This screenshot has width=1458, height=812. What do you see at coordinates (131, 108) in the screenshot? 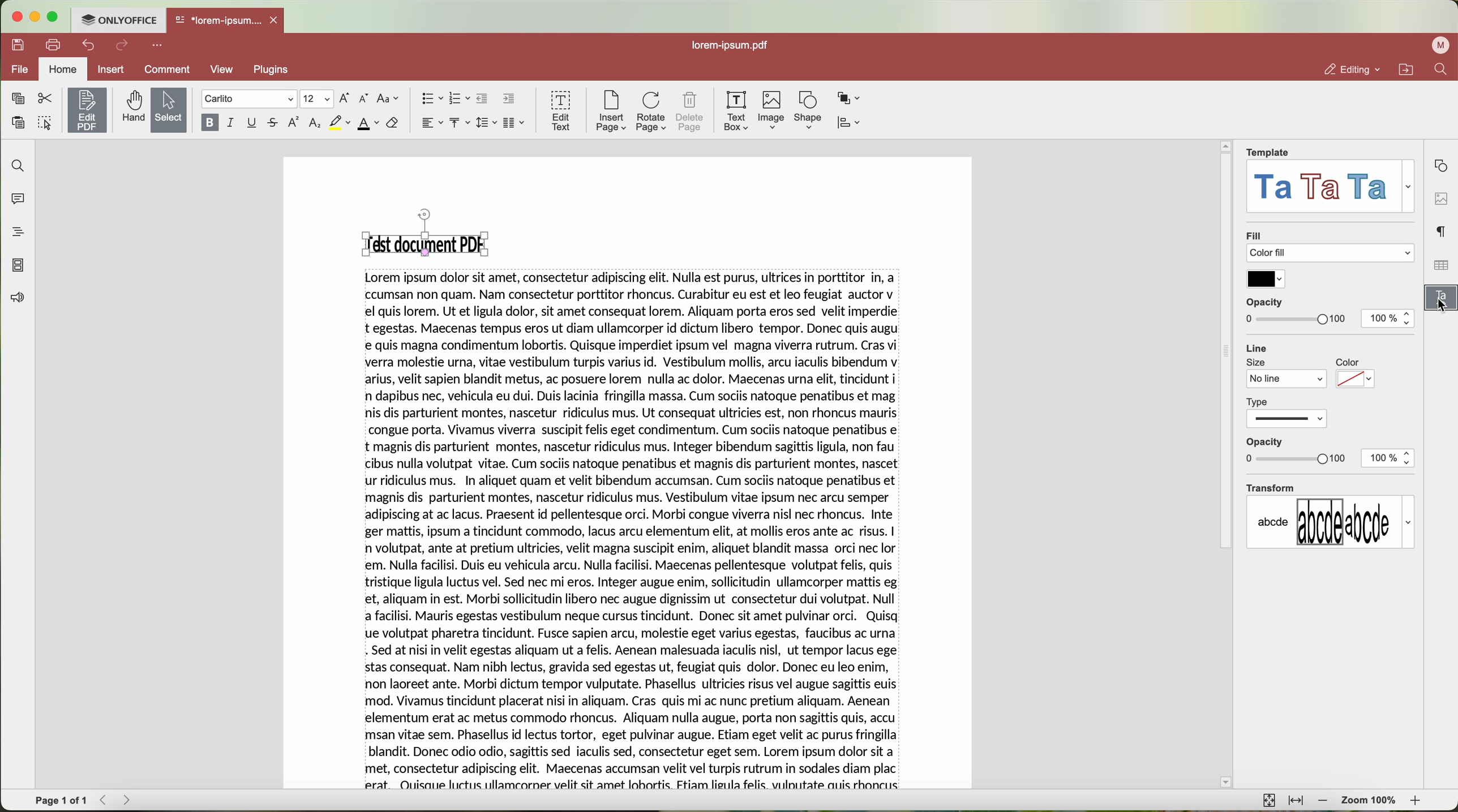
I see `hand` at bounding box center [131, 108].